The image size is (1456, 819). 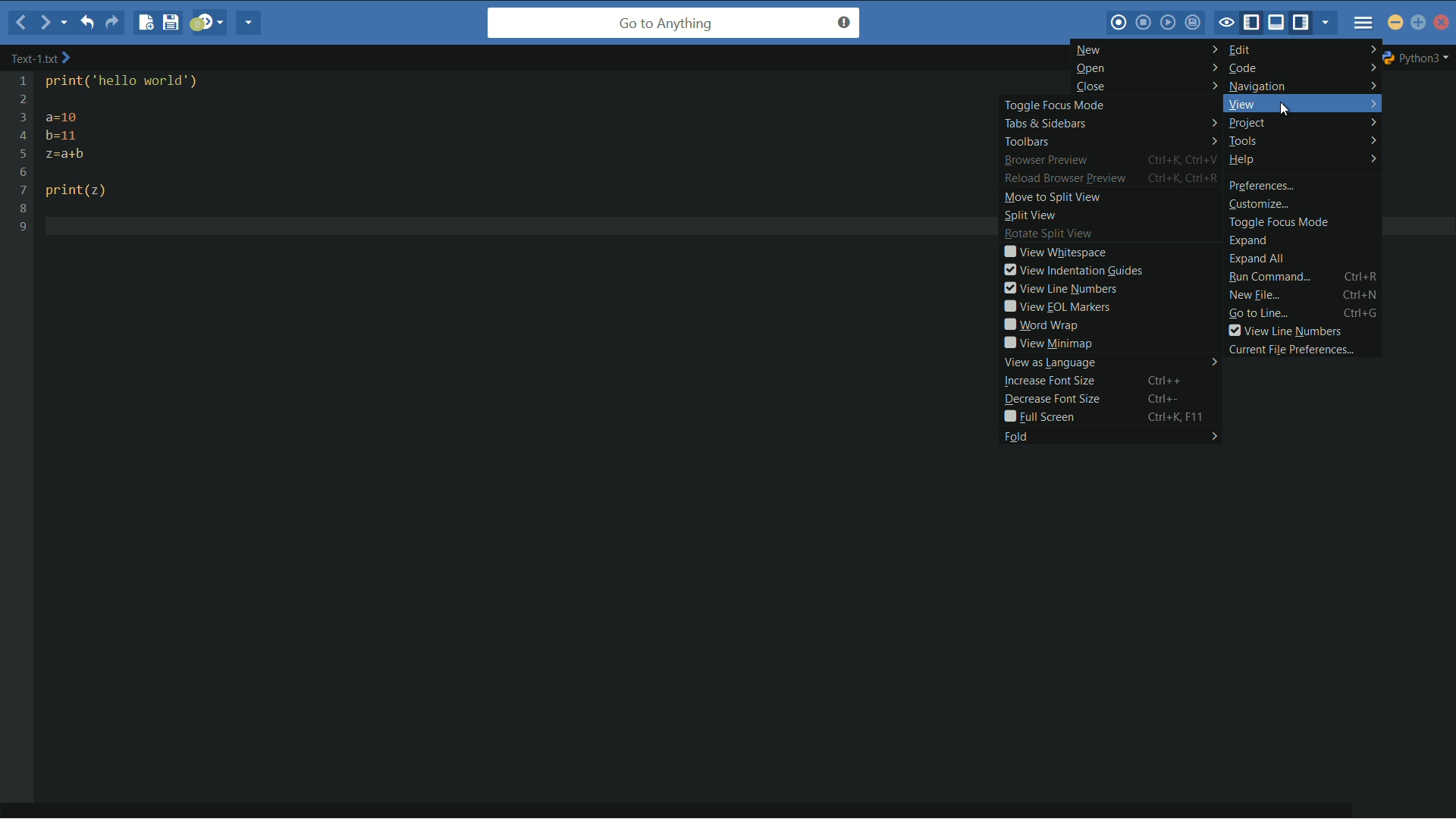 I want to click on show/hide bottom pane, so click(x=1279, y=24).